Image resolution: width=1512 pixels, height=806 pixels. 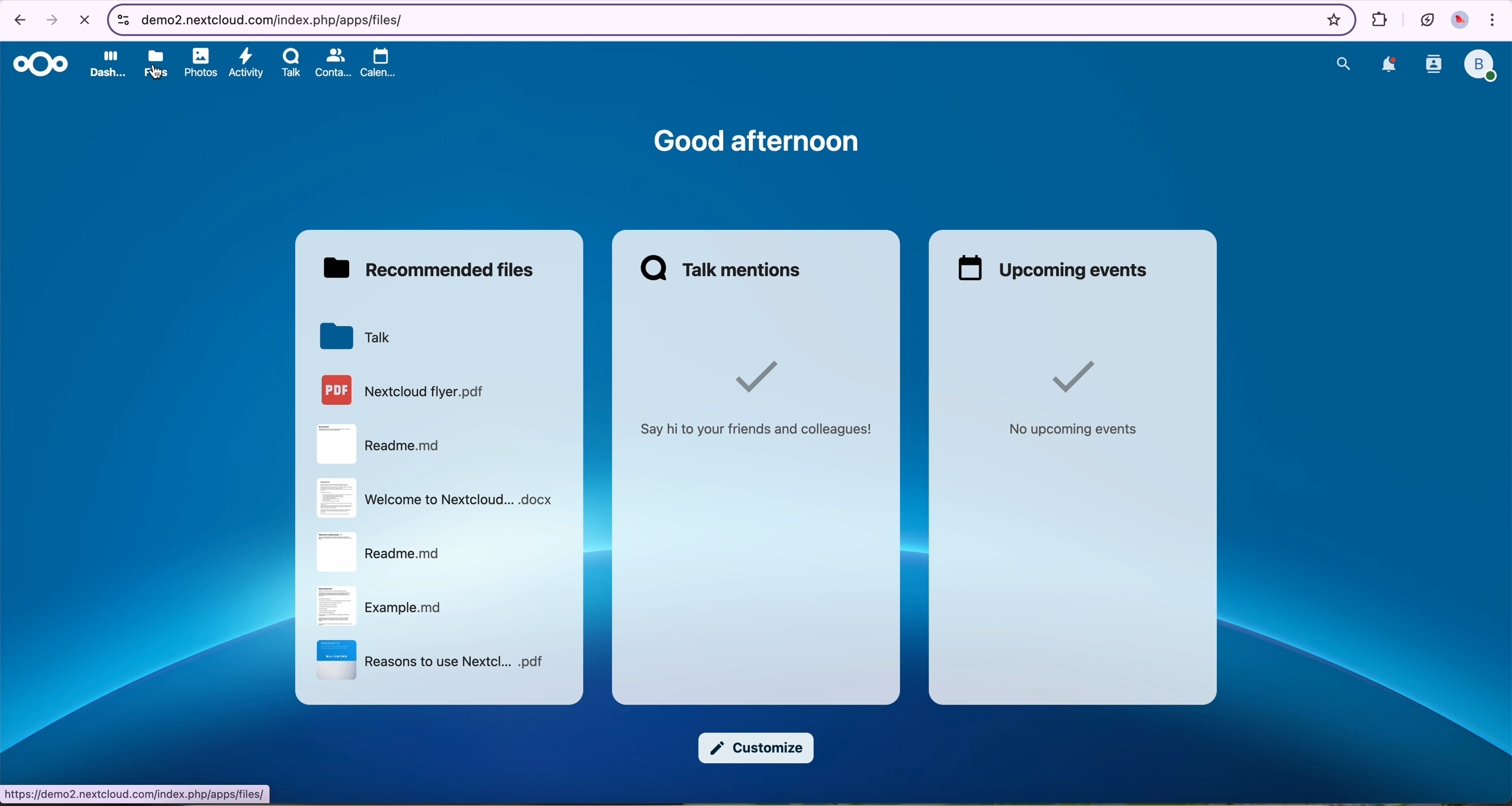 What do you see at coordinates (84, 21) in the screenshot?
I see `cancel` at bounding box center [84, 21].